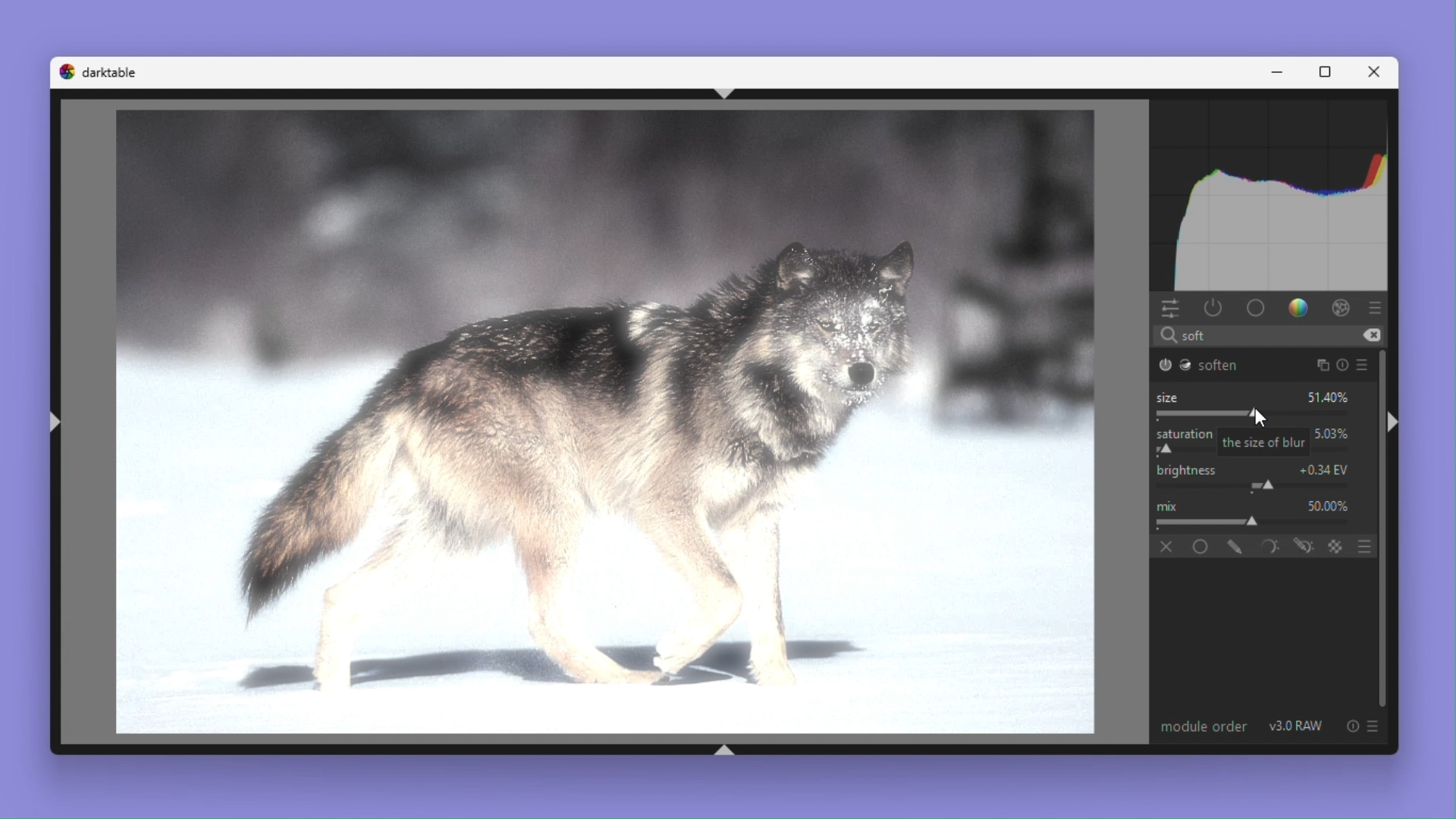 The image size is (1456, 819). I want to click on off, so click(1167, 547).